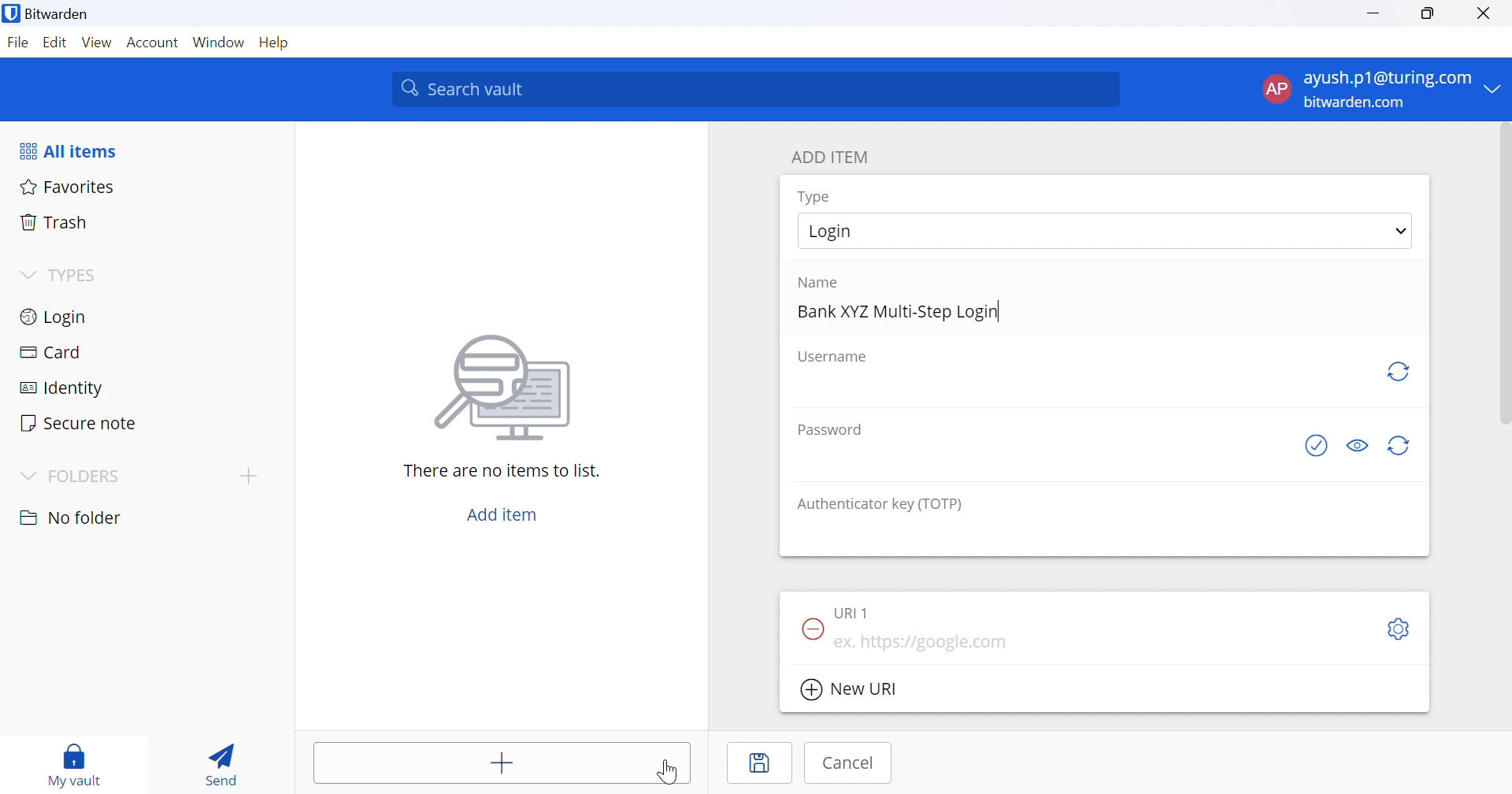 The width and height of the screenshot is (1512, 794). Describe the element at coordinates (880, 506) in the screenshot. I see `Authenticator key (TOTP)` at that location.